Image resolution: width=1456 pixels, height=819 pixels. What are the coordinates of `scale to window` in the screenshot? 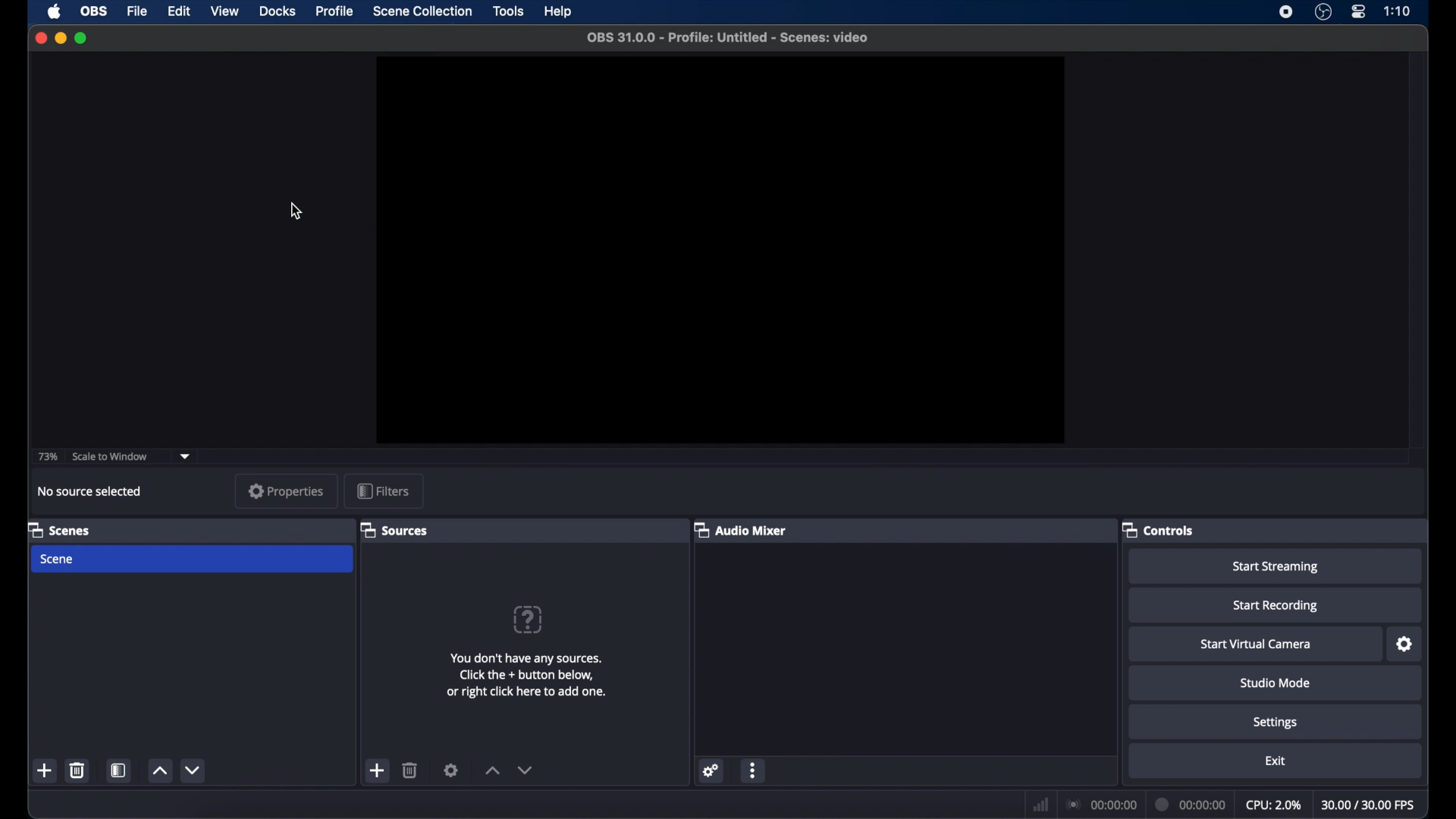 It's located at (112, 457).